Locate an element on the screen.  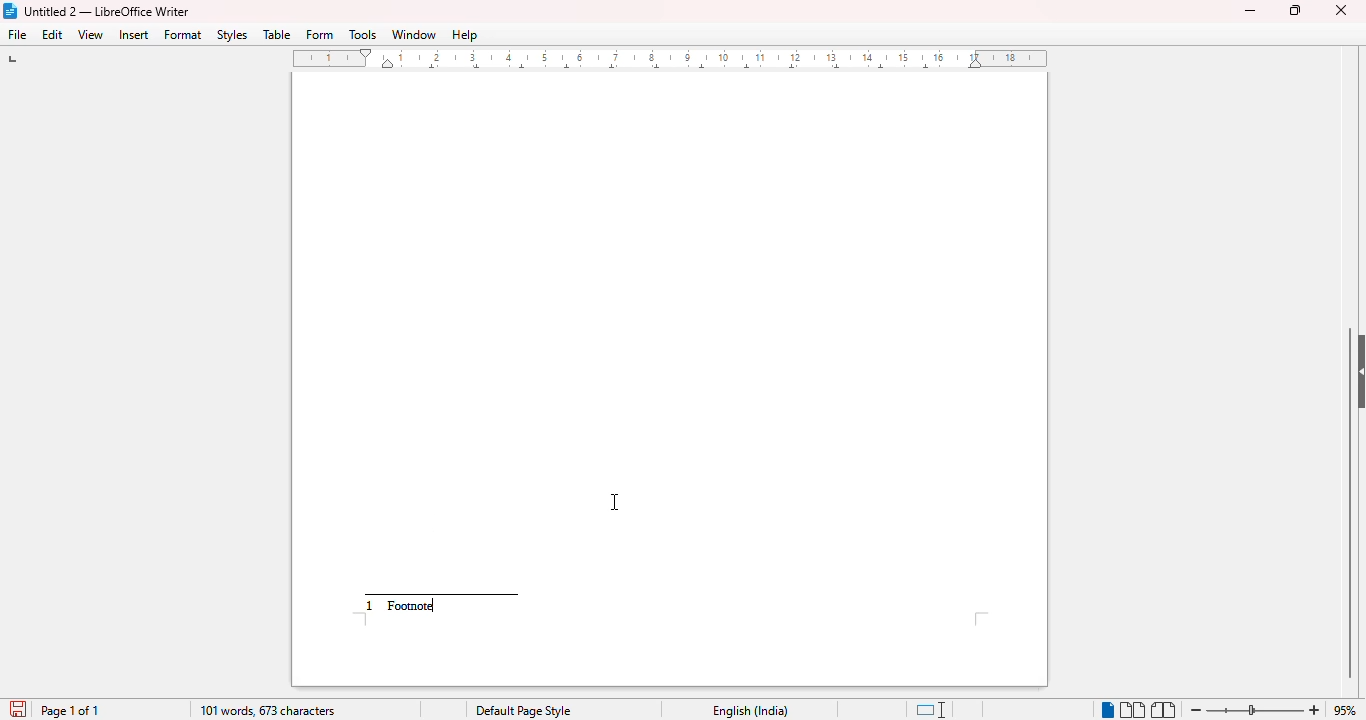
edit is located at coordinates (54, 34).